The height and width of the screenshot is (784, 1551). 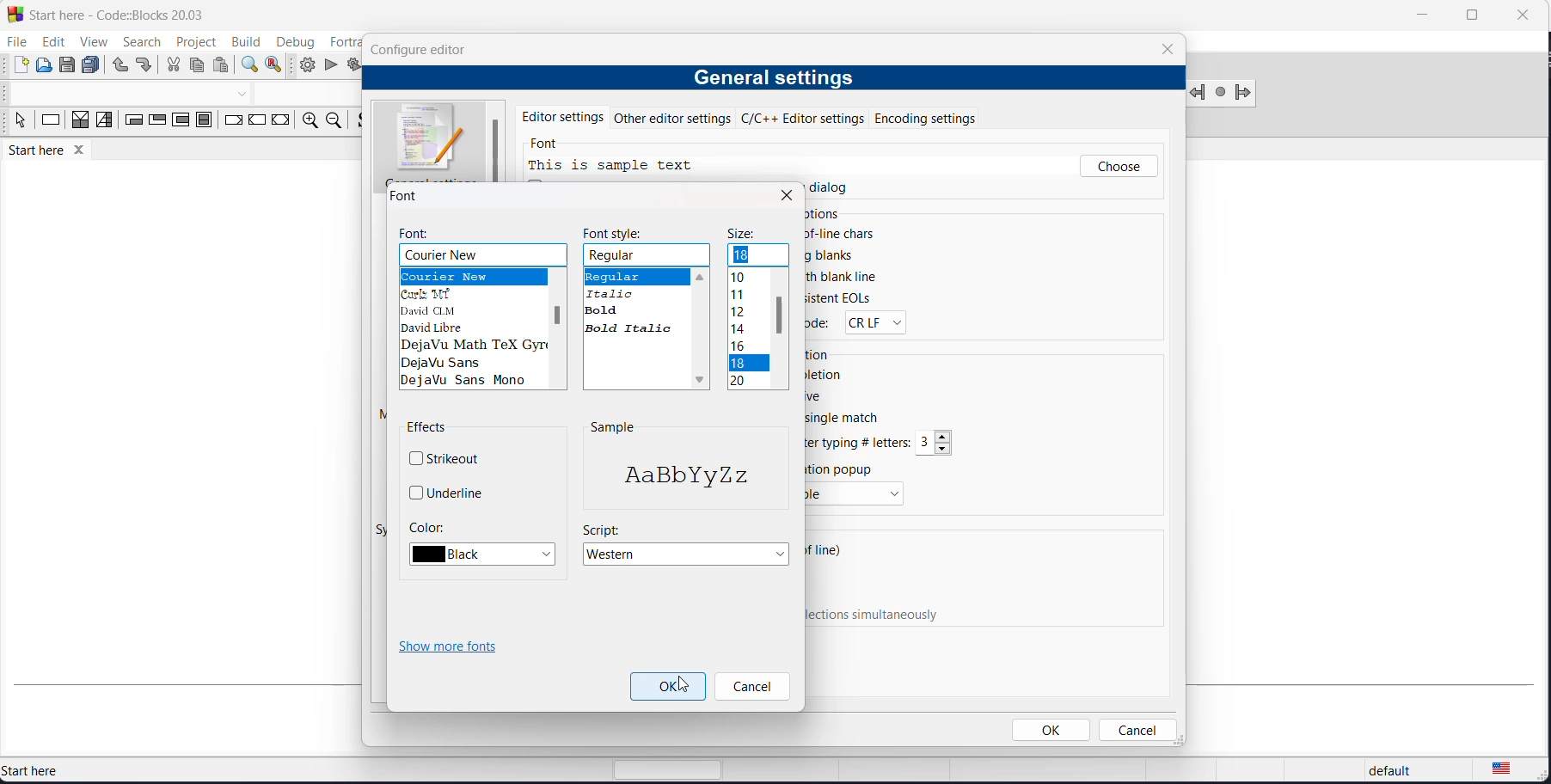 I want to click on Line, so click(x=829, y=553).